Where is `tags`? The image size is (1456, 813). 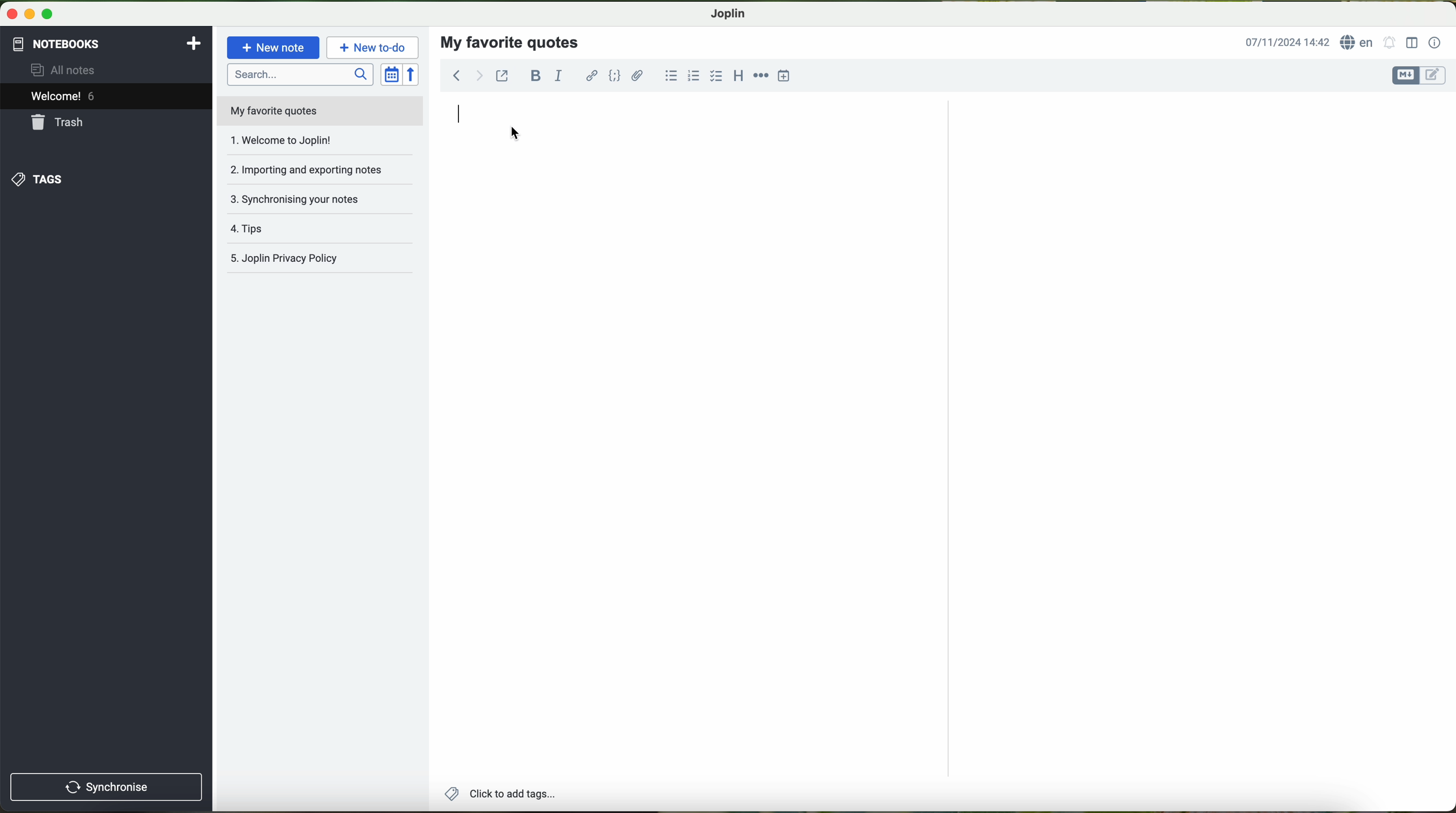 tags is located at coordinates (106, 179).